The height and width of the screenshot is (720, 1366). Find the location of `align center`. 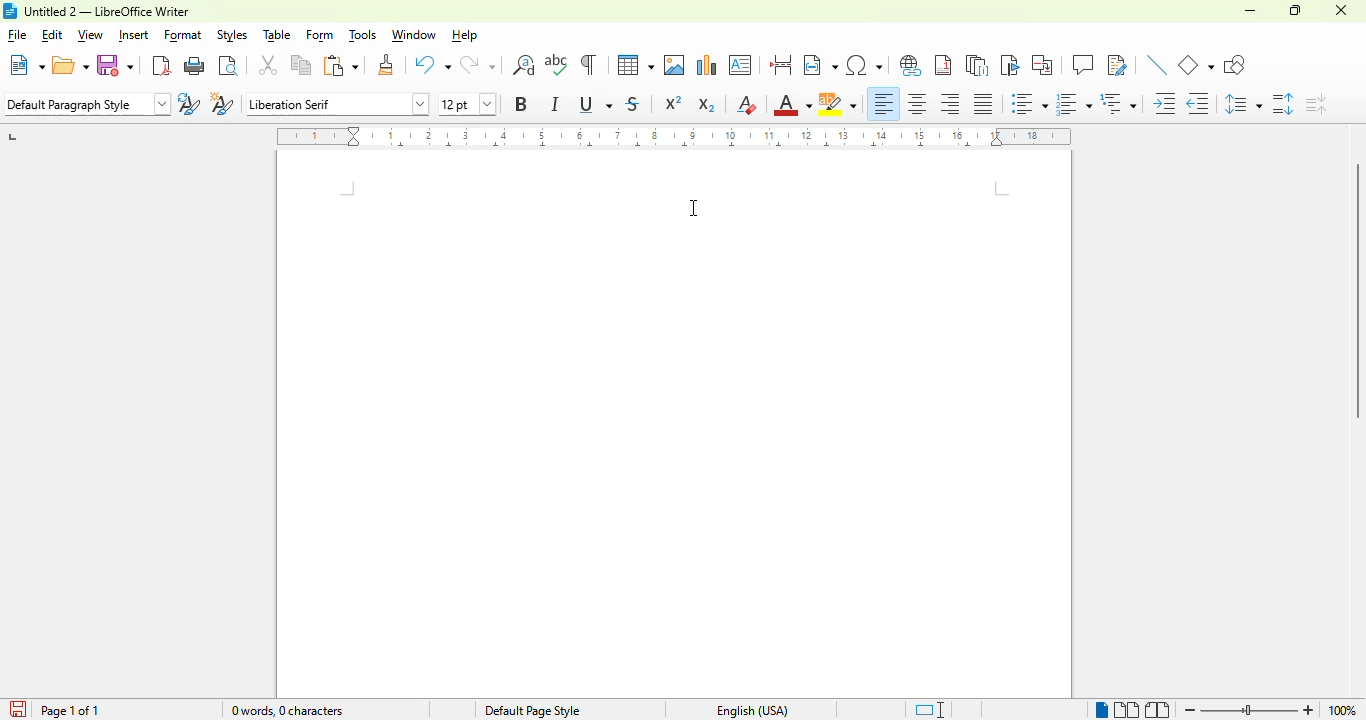

align center is located at coordinates (918, 104).